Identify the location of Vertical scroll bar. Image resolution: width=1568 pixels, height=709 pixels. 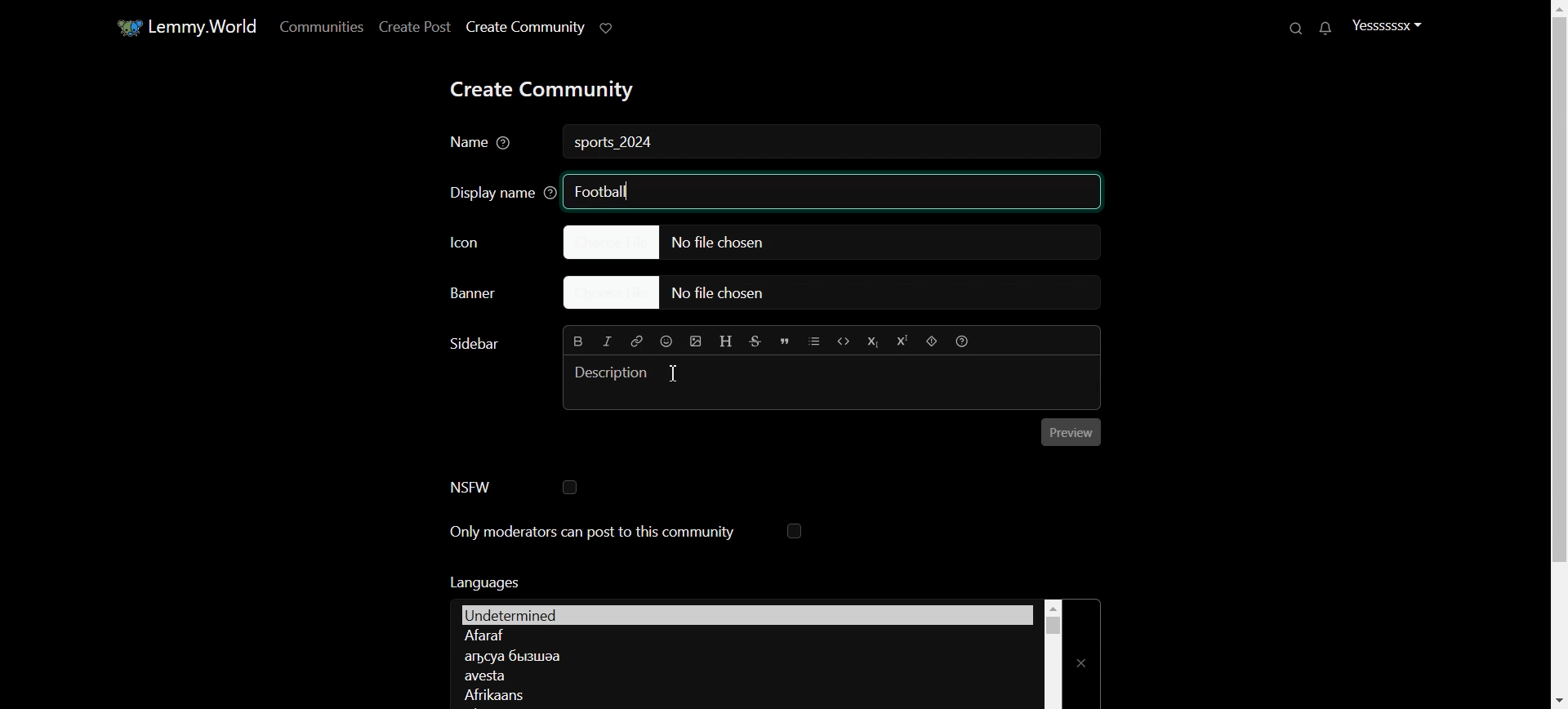
(1053, 653).